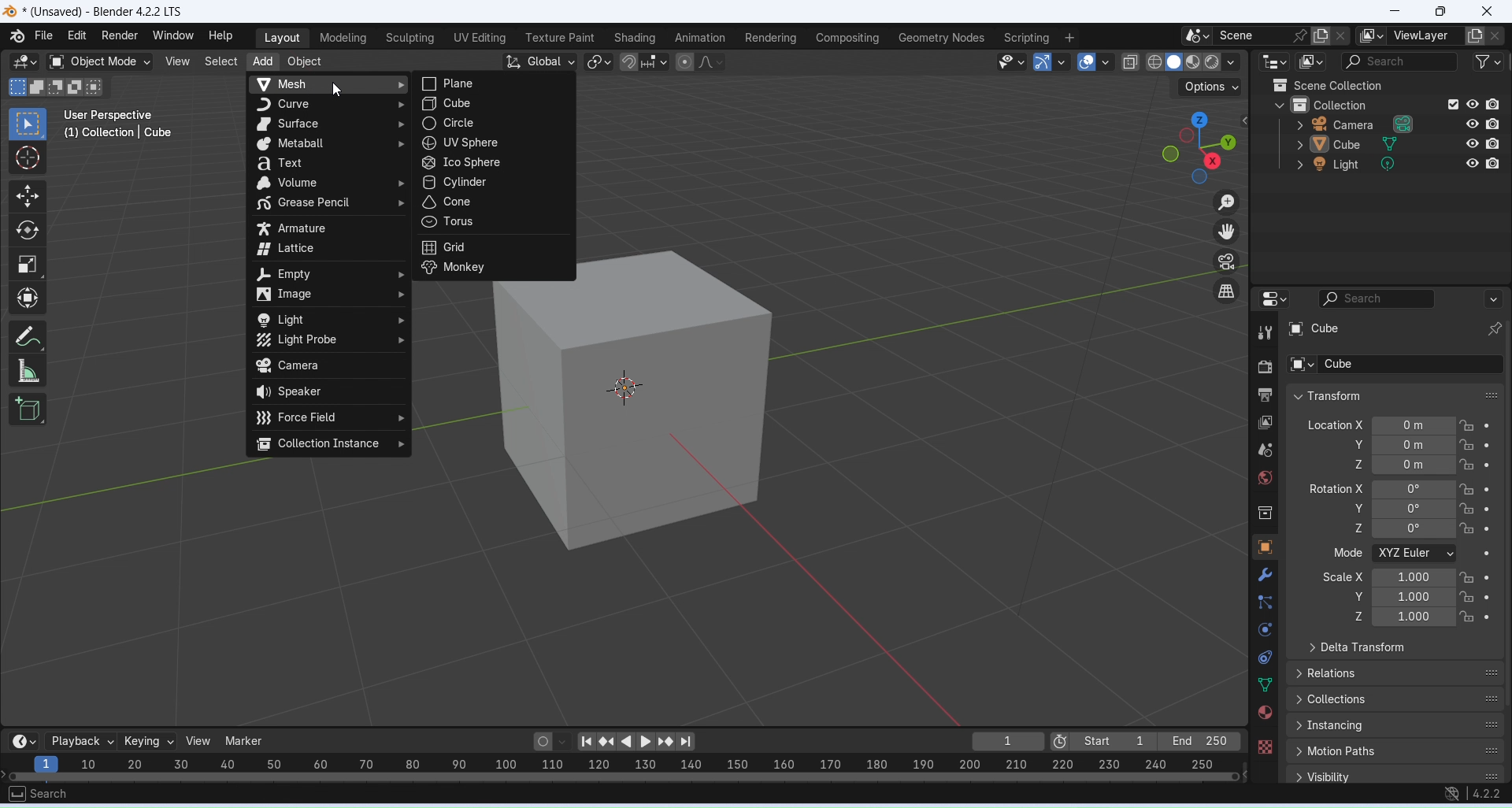 The image size is (1512, 808). What do you see at coordinates (691, 742) in the screenshot?
I see `Jump to endpoint` at bounding box center [691, 742].